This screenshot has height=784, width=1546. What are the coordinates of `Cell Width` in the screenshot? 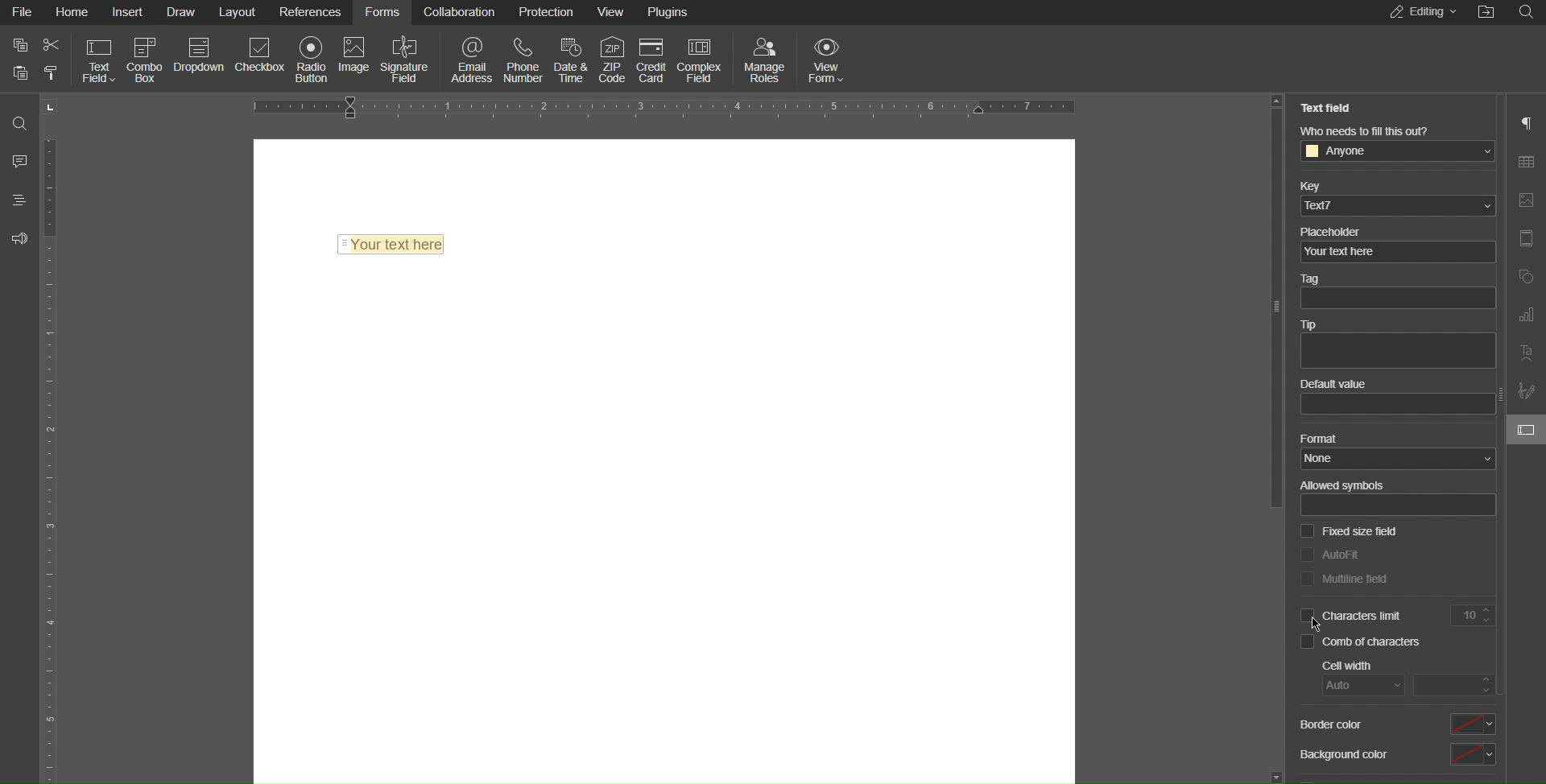 It's located at (1411, 678).